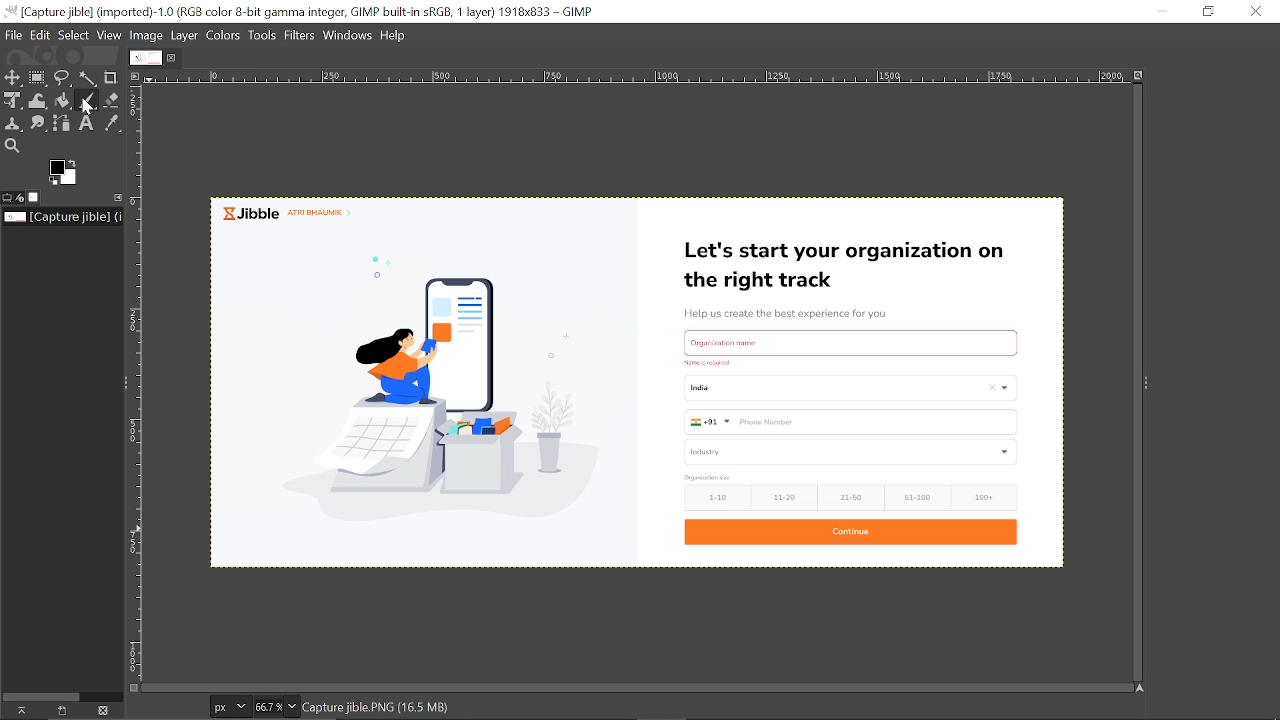  I want to click on Minimize, so click(1162, 10).